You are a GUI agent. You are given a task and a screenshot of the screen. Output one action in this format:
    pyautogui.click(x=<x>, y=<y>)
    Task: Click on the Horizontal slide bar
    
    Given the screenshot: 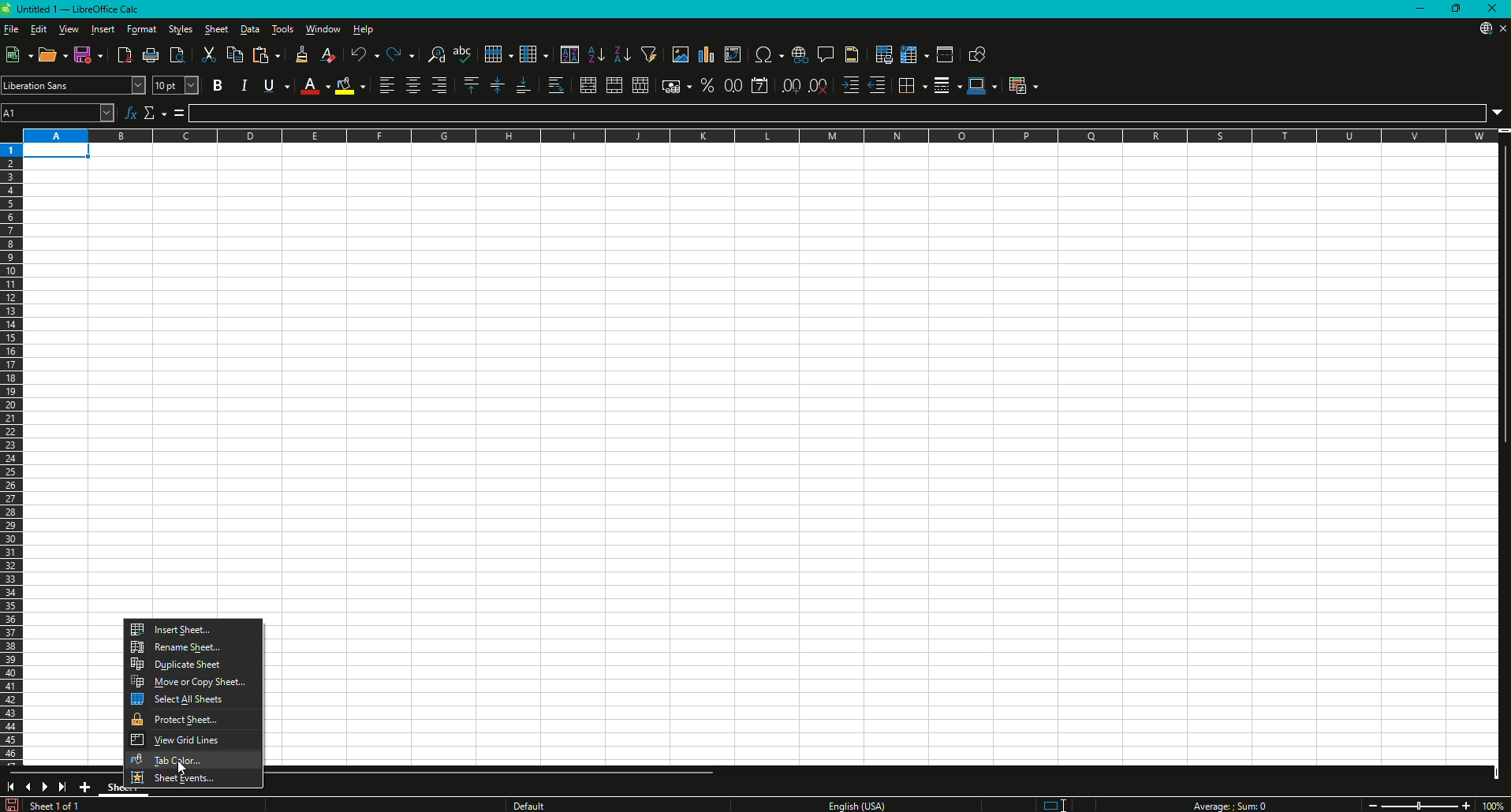 What is the action you would take?
    pyautogui.click(x=491, y=773)
    